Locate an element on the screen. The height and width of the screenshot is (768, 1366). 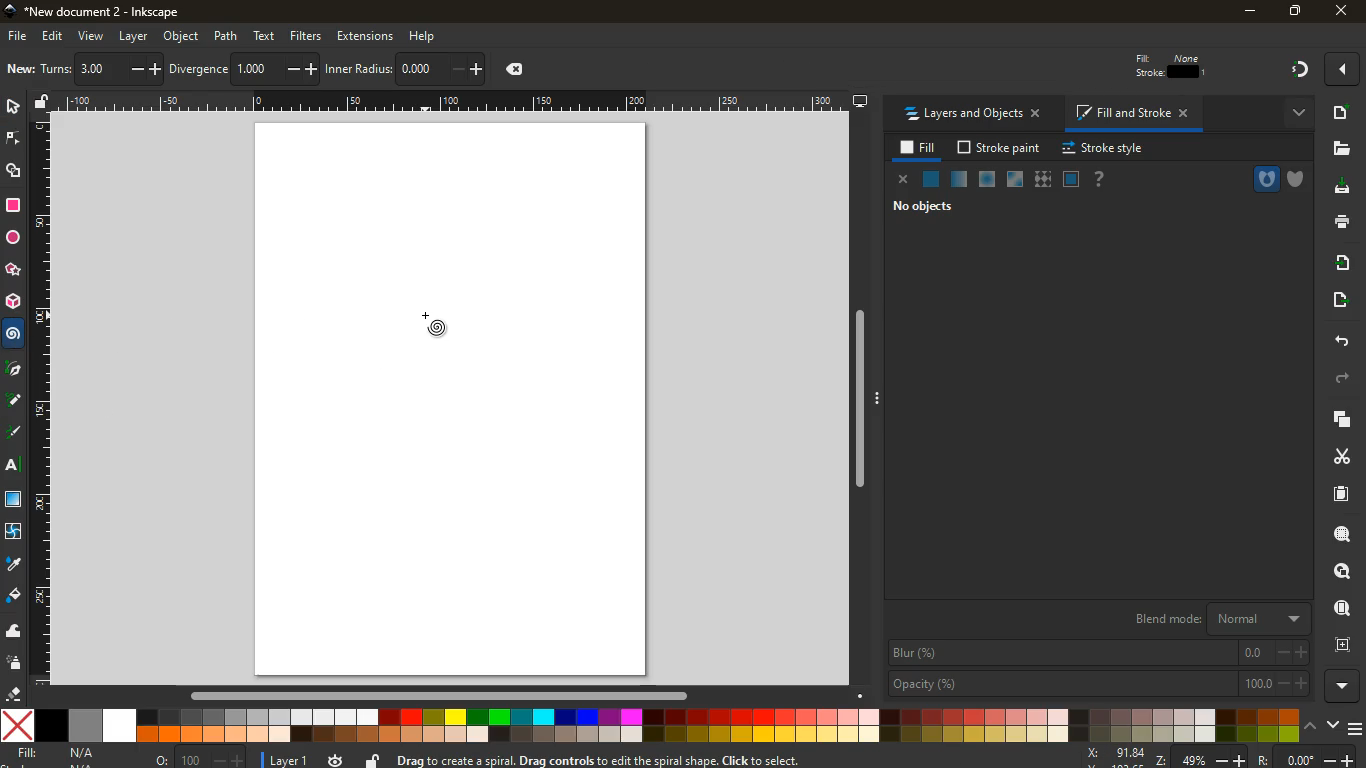
download is located at coordinates (1344, 189).